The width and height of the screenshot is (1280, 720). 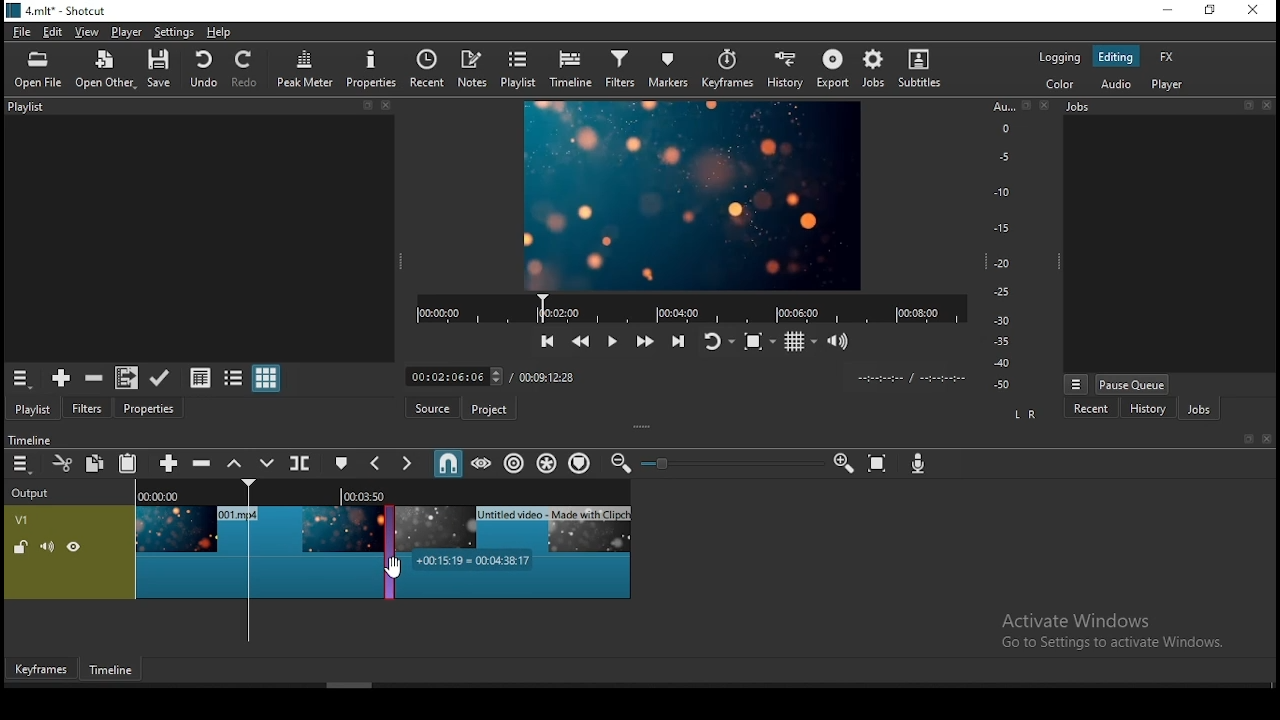 What do you see at coordinates (800, 342) in the screenshot?
I see `toggle grids display` at bounding box center [800, 342].